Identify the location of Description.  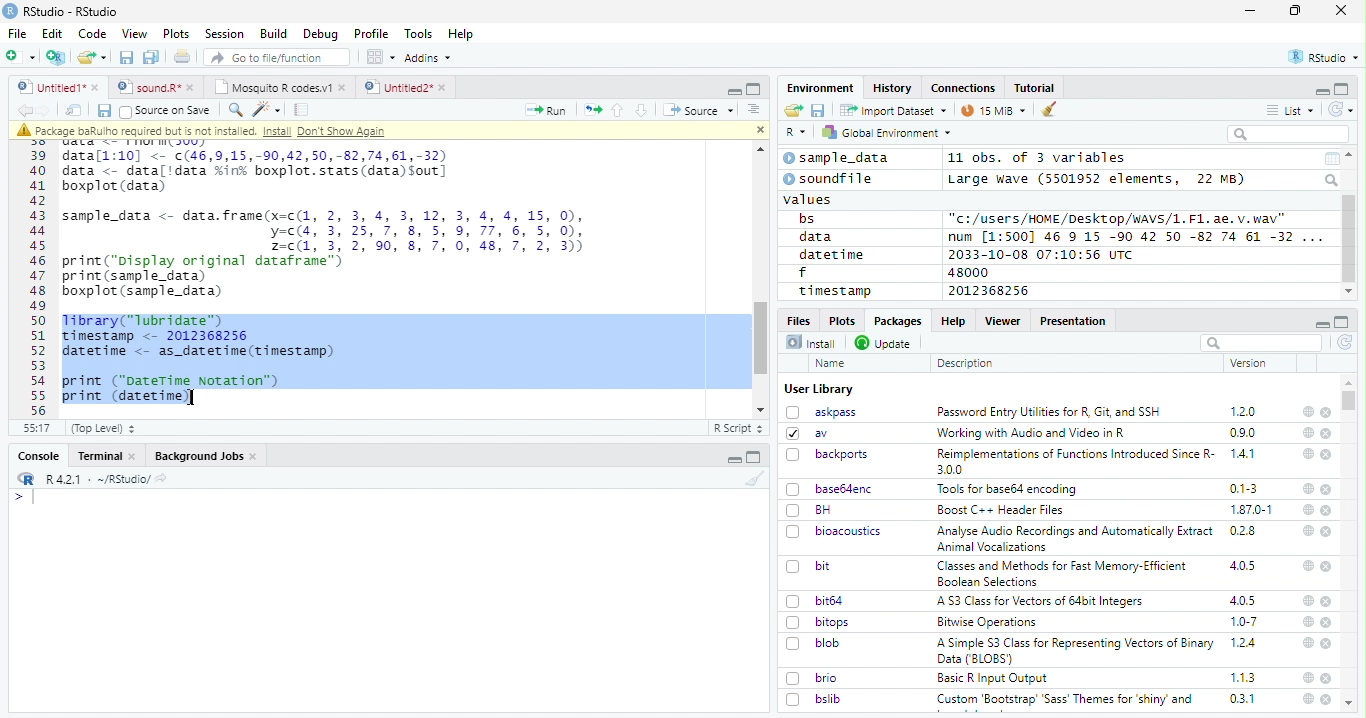
(966, 363).